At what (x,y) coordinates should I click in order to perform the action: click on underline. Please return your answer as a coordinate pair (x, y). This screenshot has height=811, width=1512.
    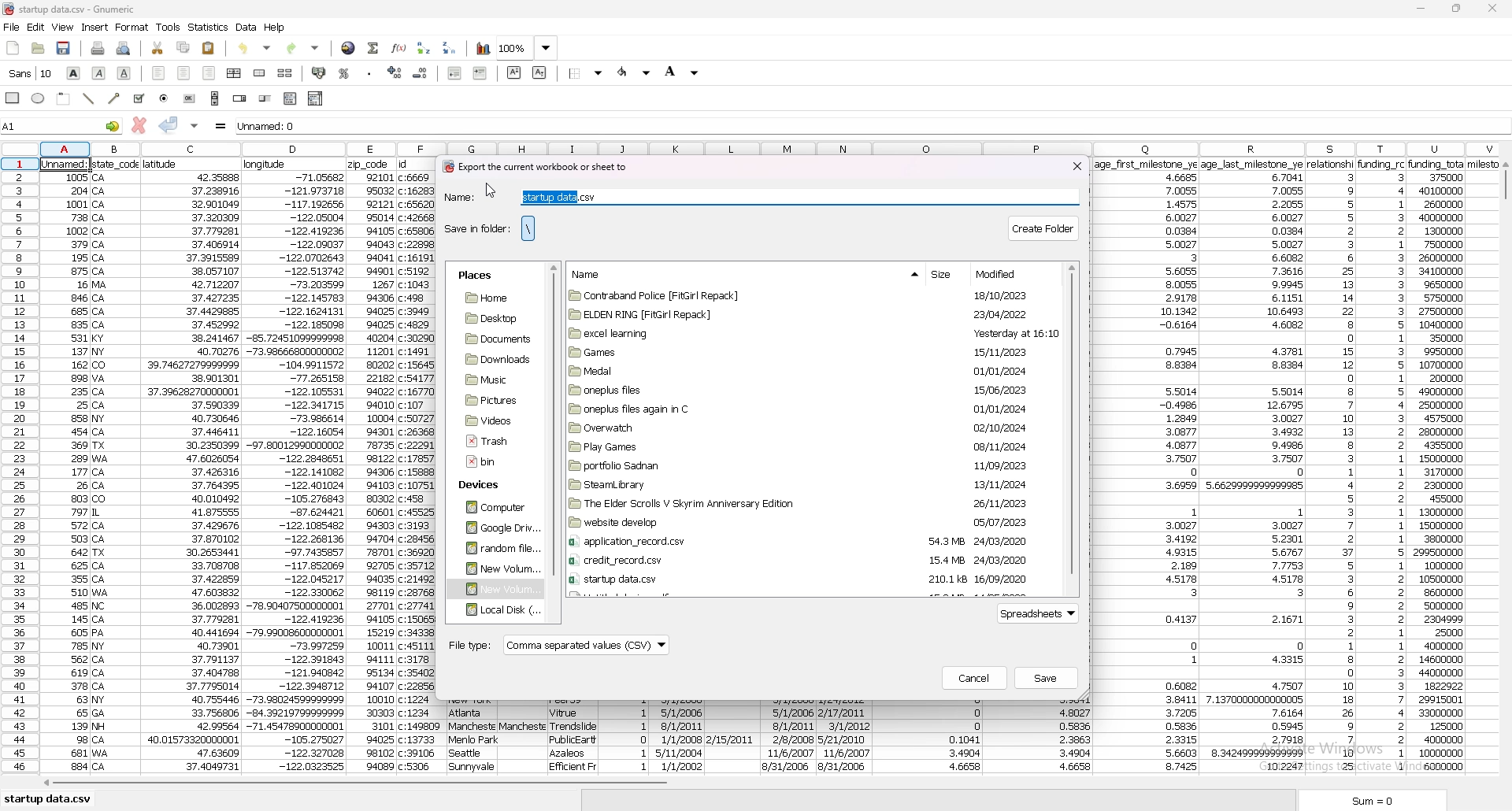
    Looking at the image, I should click on (125, 73).